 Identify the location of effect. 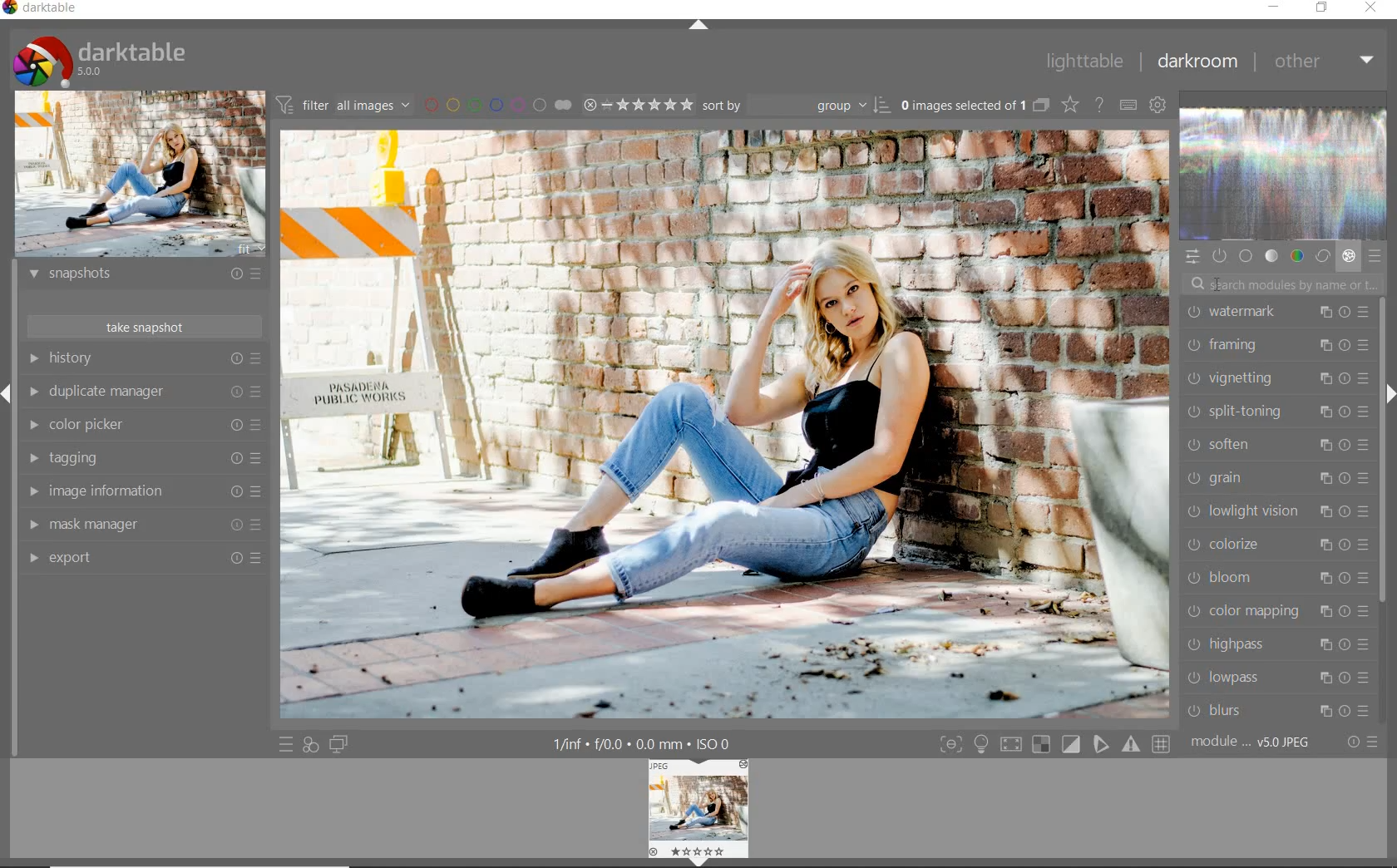
(1349, 259).